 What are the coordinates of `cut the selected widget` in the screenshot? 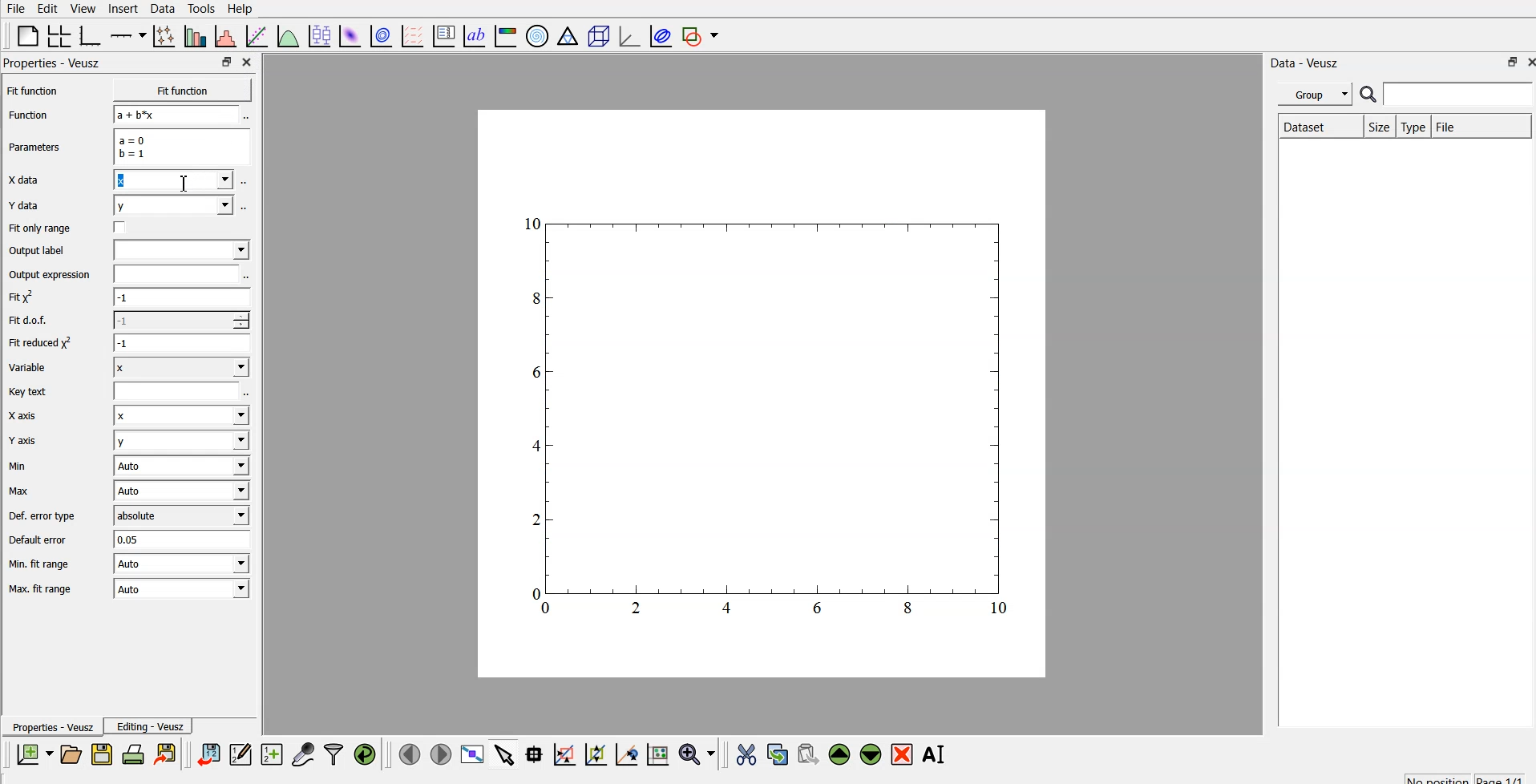 It's located at (745, 757).